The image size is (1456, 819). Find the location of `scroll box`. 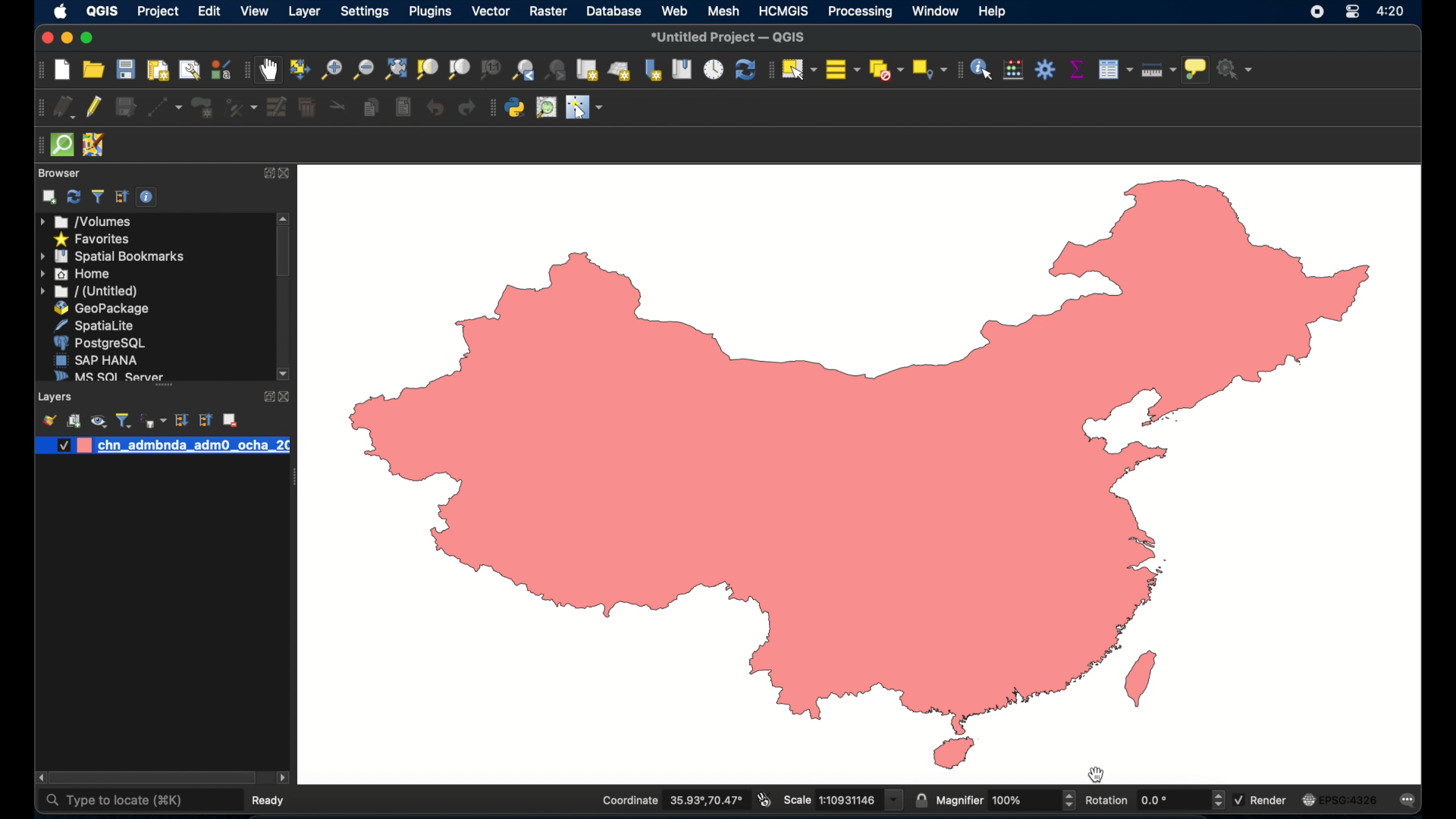

scroll box is located at coordinates (154, 779).